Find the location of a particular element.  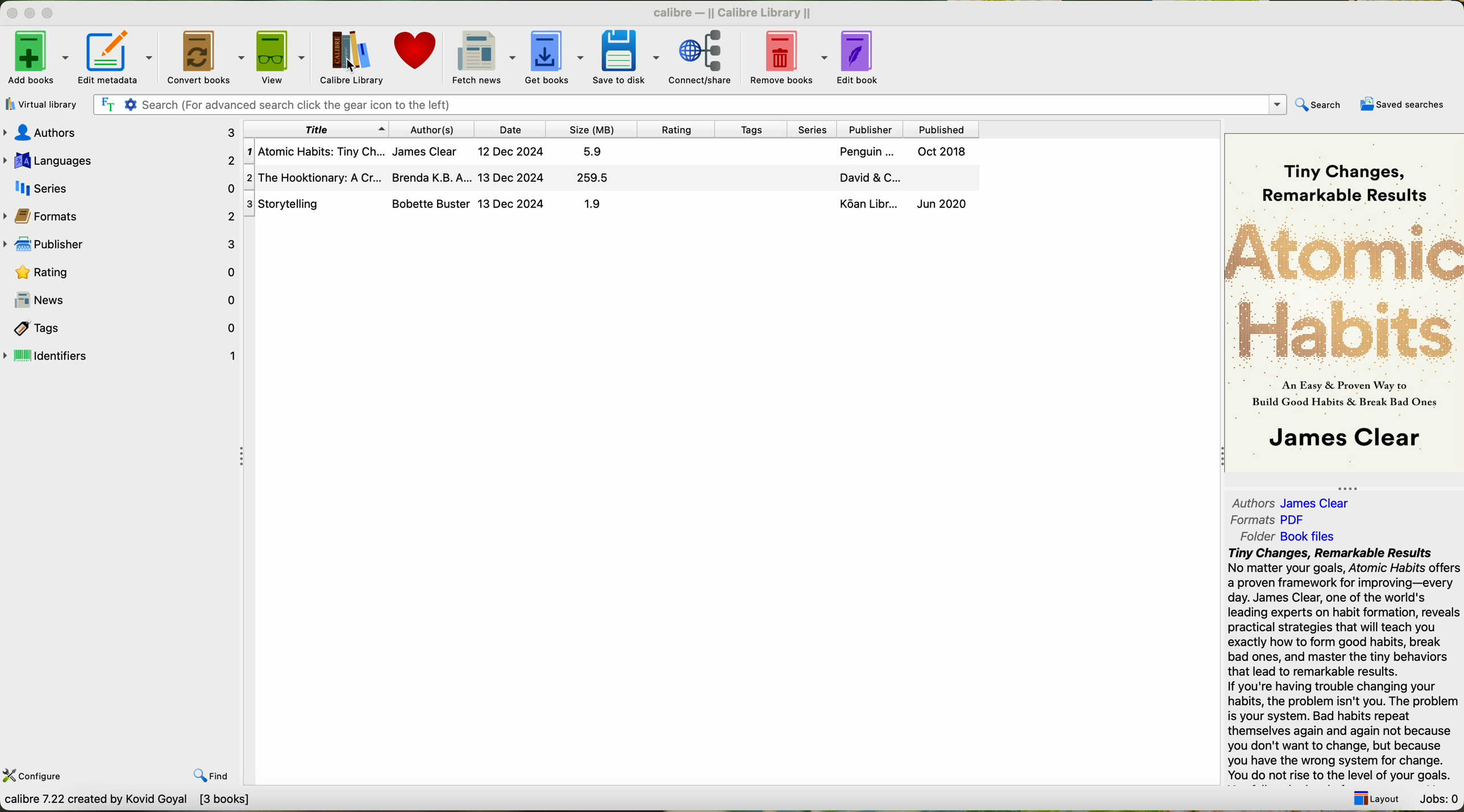

connect/share is located at coordinates (702, 57).